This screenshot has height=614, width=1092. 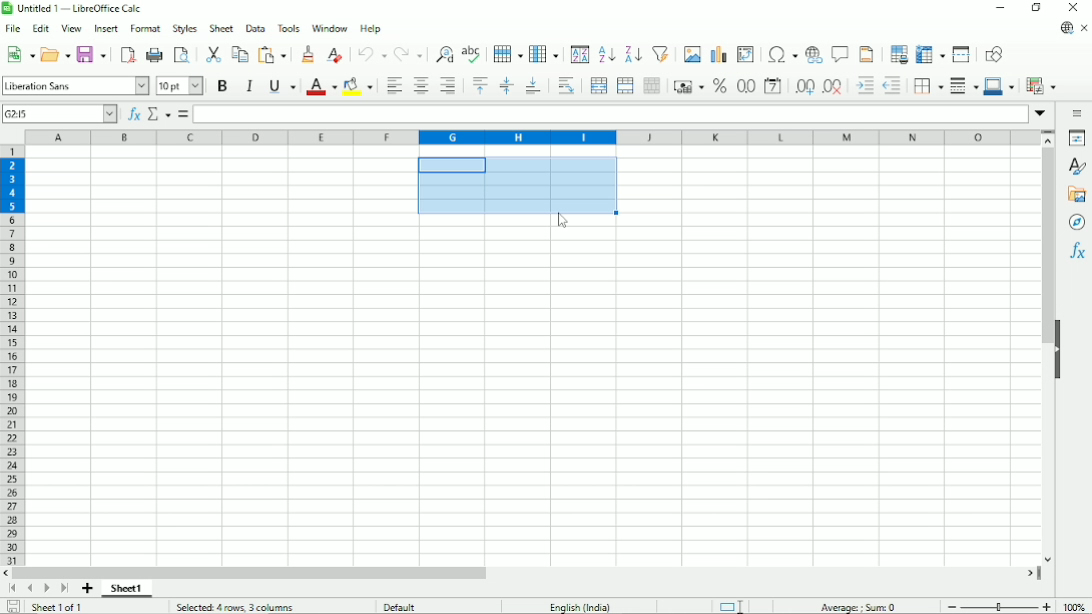 What do you see at coordinates (14, 356) in the screenshot?
I see `Row headings` at bounding box center [14, 356].